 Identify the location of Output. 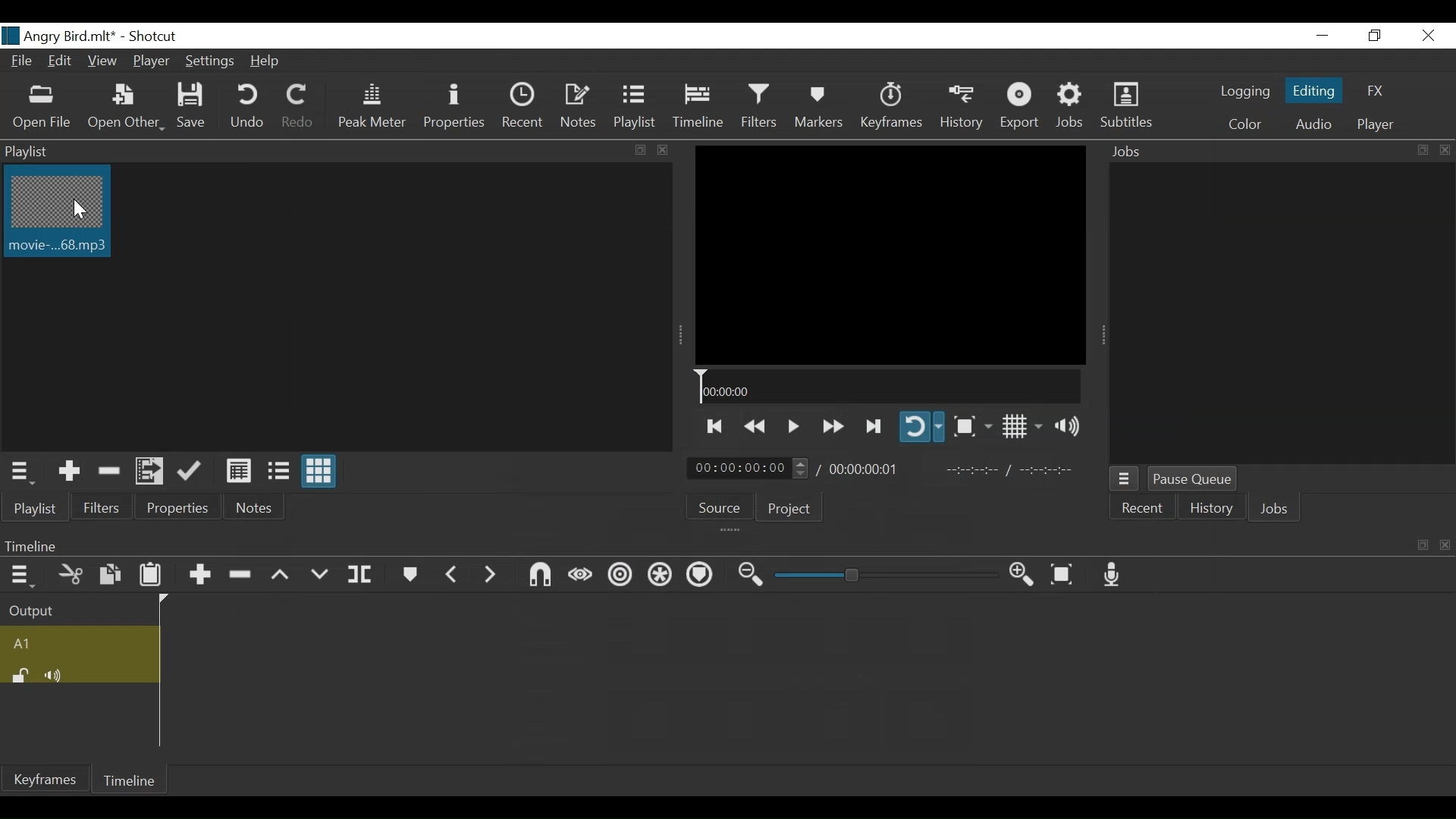
(74, 607).